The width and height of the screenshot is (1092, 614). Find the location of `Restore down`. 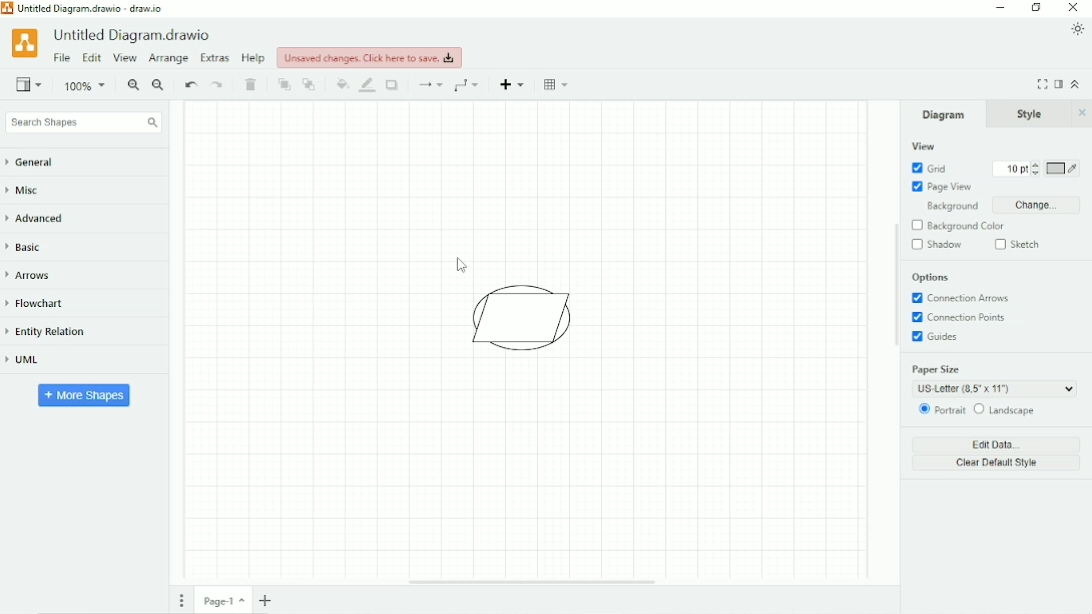

Restore down is located at coordinates (1036, 8).